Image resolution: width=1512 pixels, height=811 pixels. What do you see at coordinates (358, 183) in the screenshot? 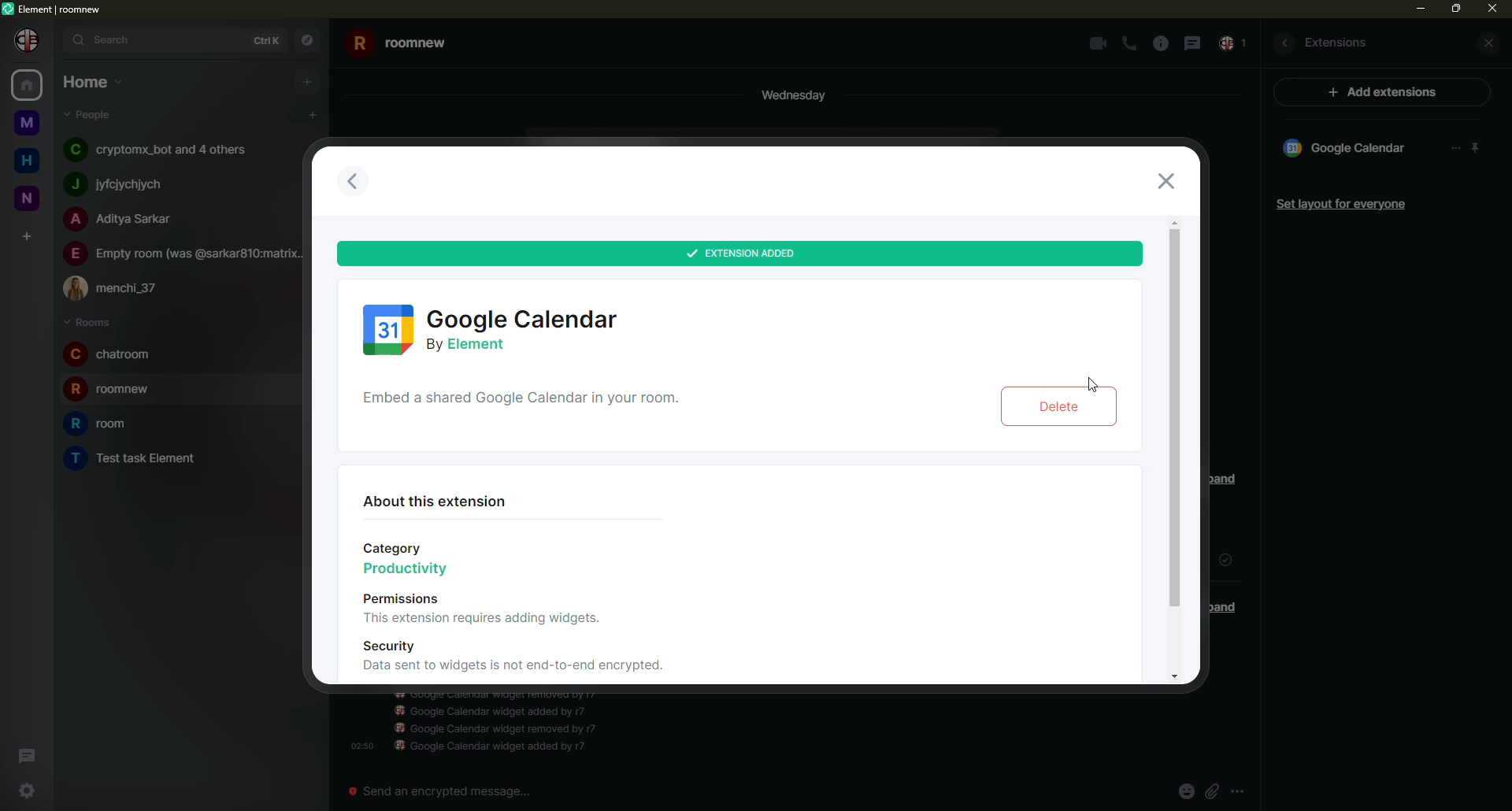
I see `previous` at bounding box center [358, 183].